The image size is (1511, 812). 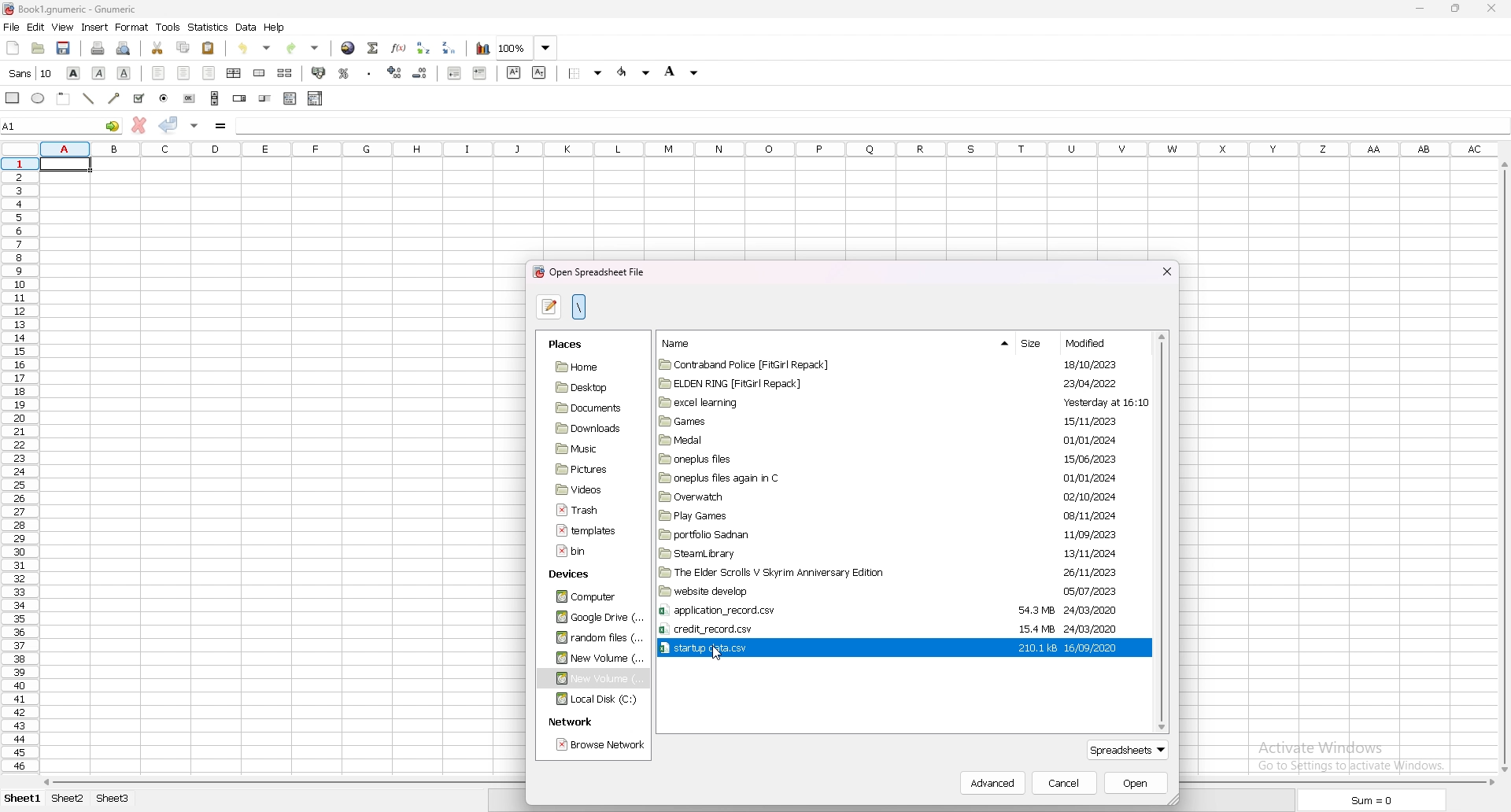 What do you see at coordinates (1085, 384) in the screenshot?
I see `23/04/2022` at bounding box center [1085, 384].